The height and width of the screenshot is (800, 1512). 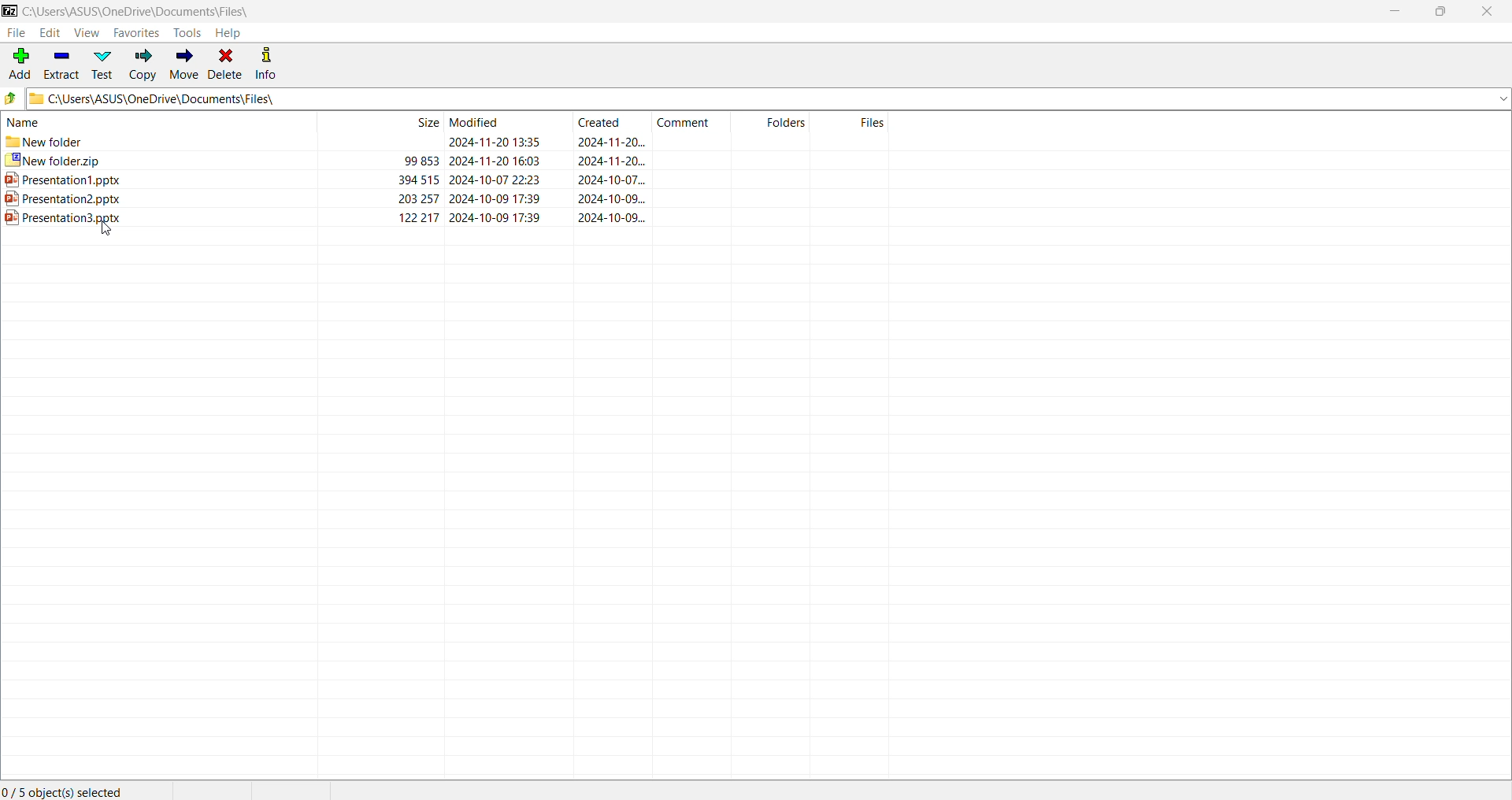 What do you see at coordinates (274, 65) in the screenshot?
I see `Info` at bounding box center [274, 65].